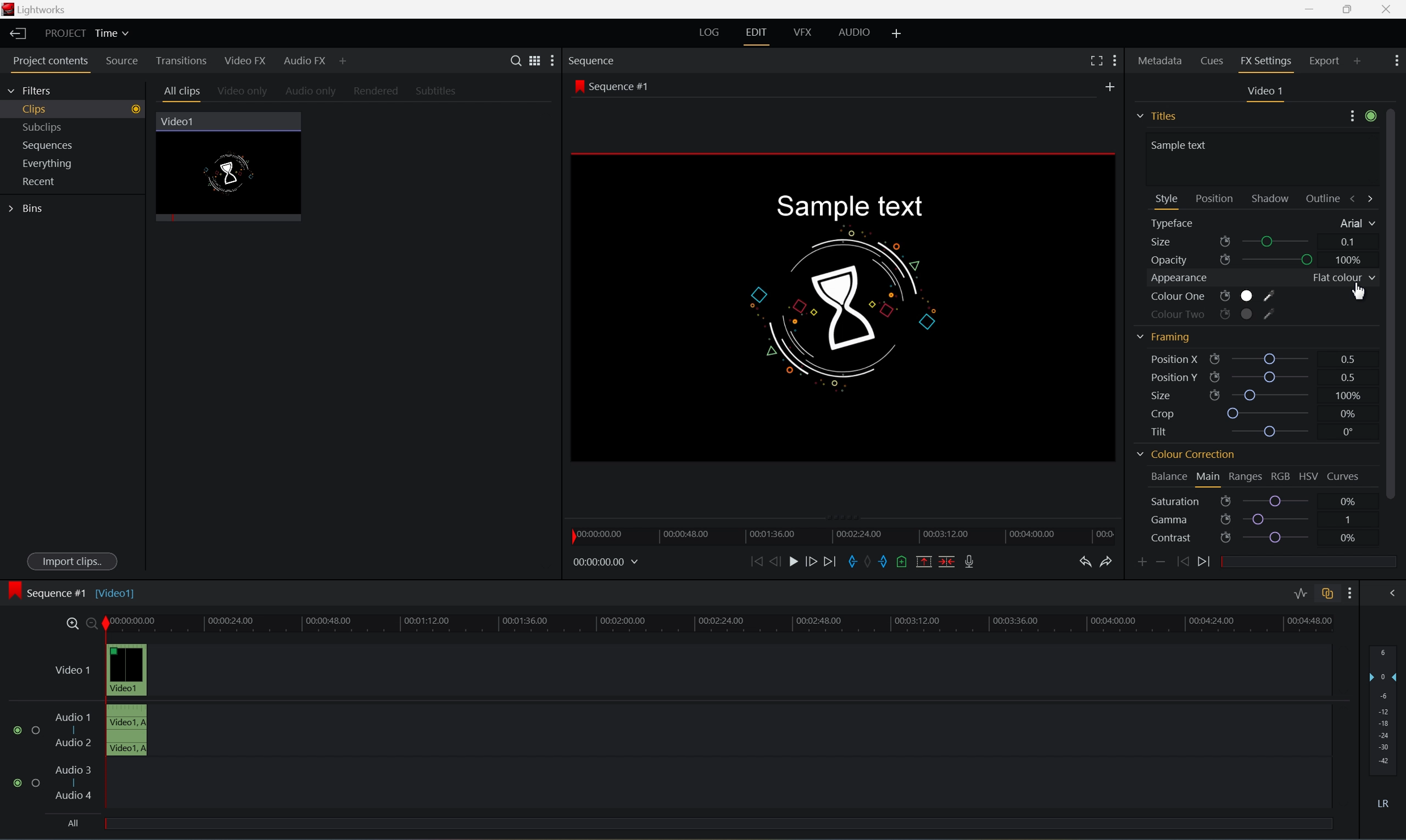 This screenshot has width=1406, height=840. Describe the element at coordinates (312, 92) in the screenshot. I see `audio only` at that location.